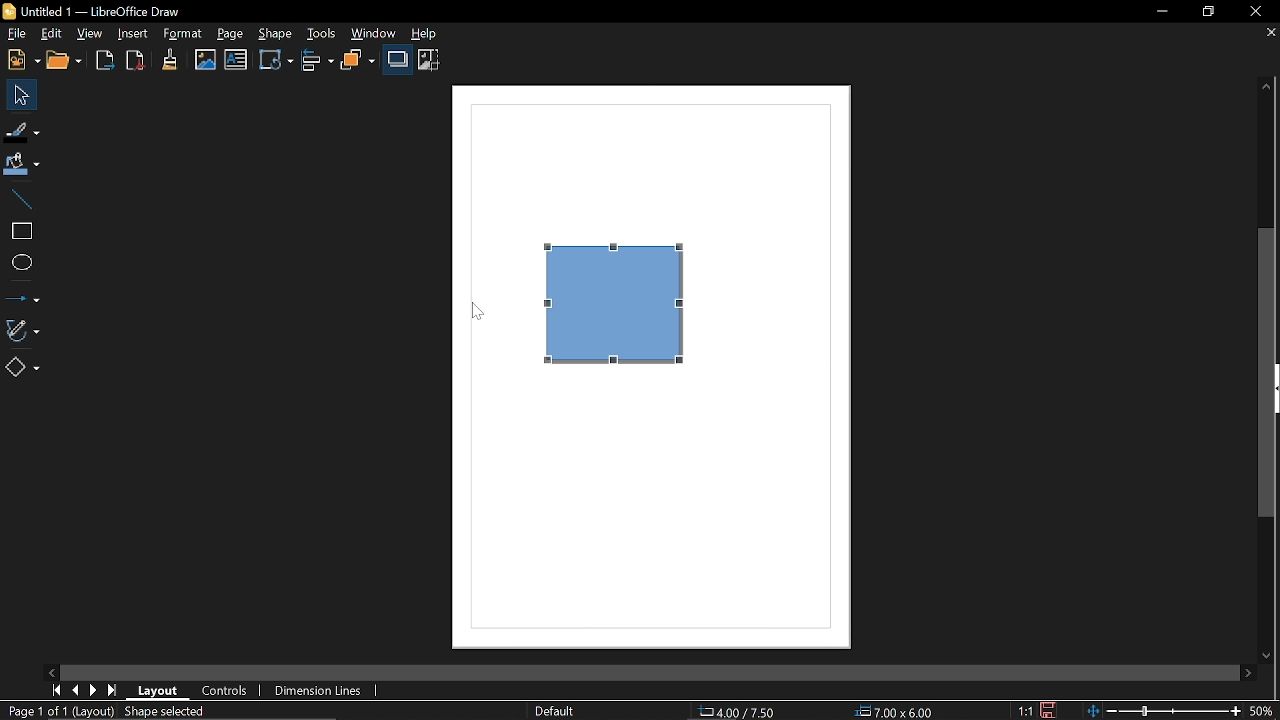  Describe the element at coordinates (374, 33) in the screenshot. I see `Window` at that location.